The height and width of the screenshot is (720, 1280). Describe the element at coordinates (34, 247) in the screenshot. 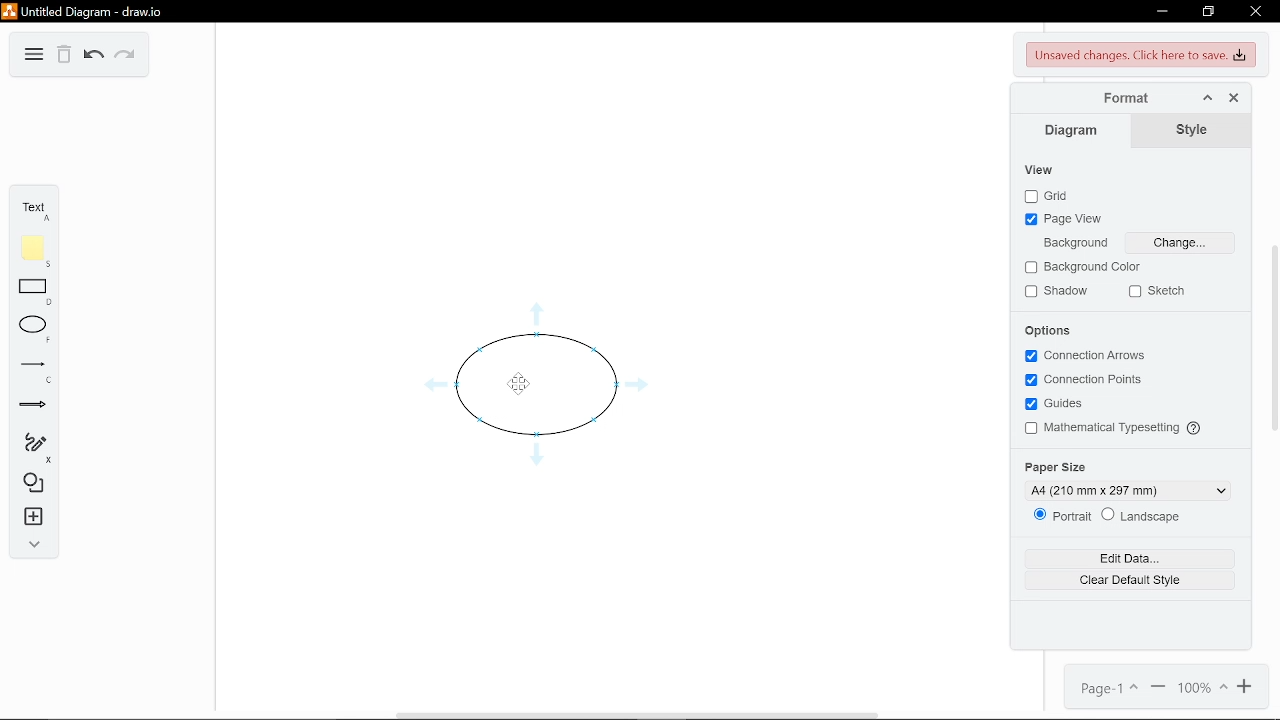

I see `Add note` at that location.